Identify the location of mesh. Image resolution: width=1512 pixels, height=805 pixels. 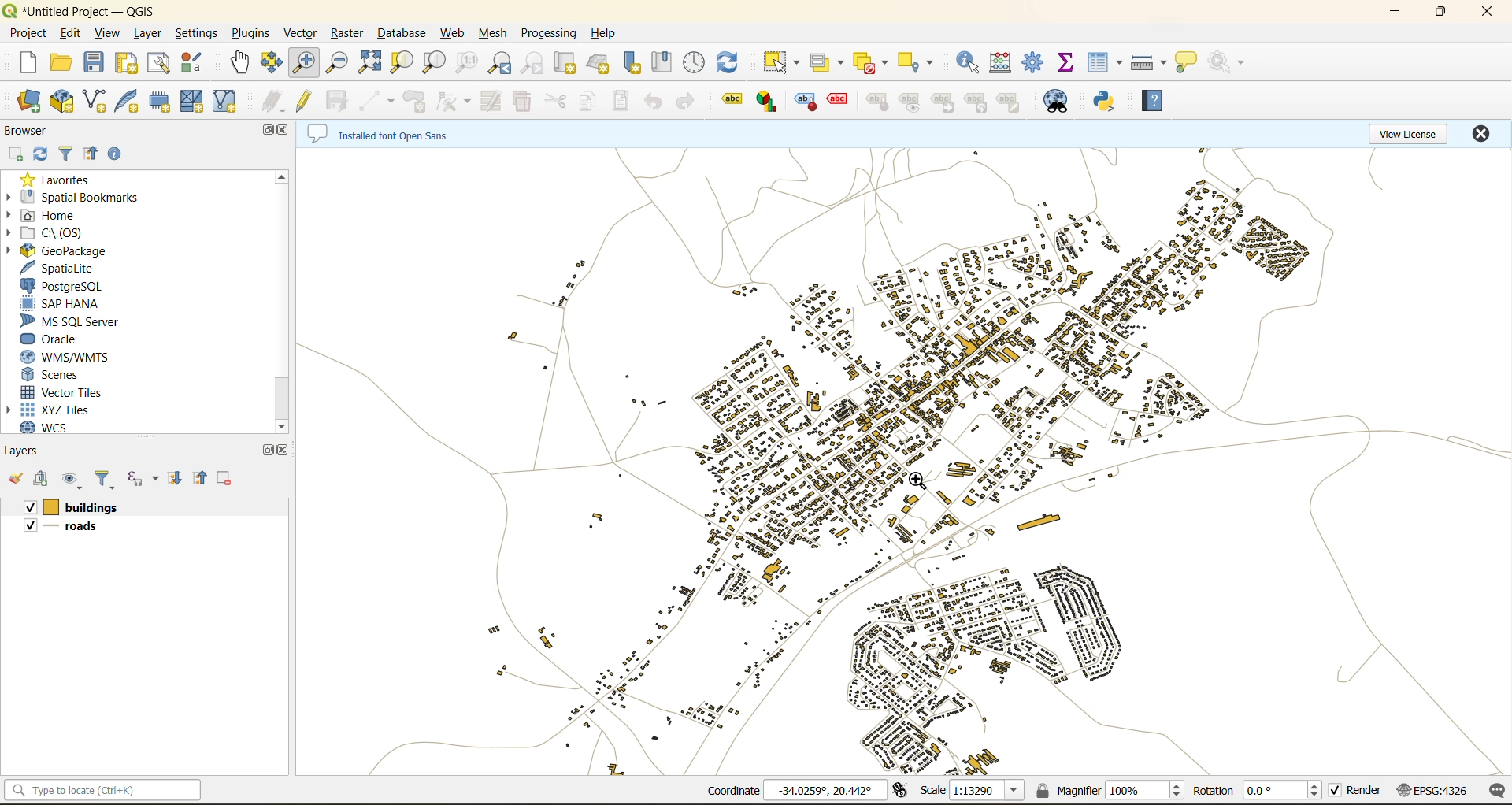
(496, 35).